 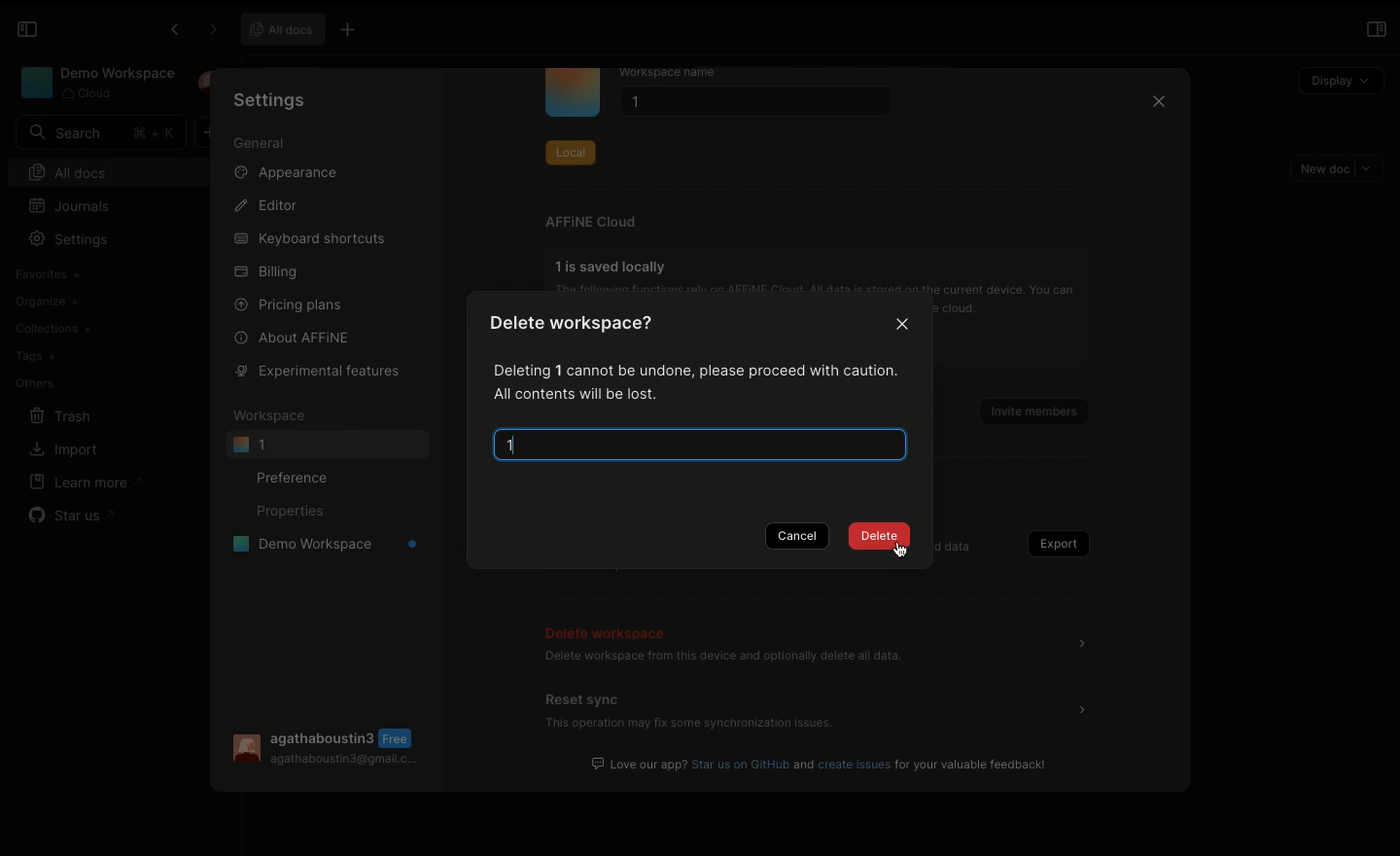 What do you see at coordinates (95, 83) in the screenshot?
I see `Workspace` at bounding box center [95, 83].